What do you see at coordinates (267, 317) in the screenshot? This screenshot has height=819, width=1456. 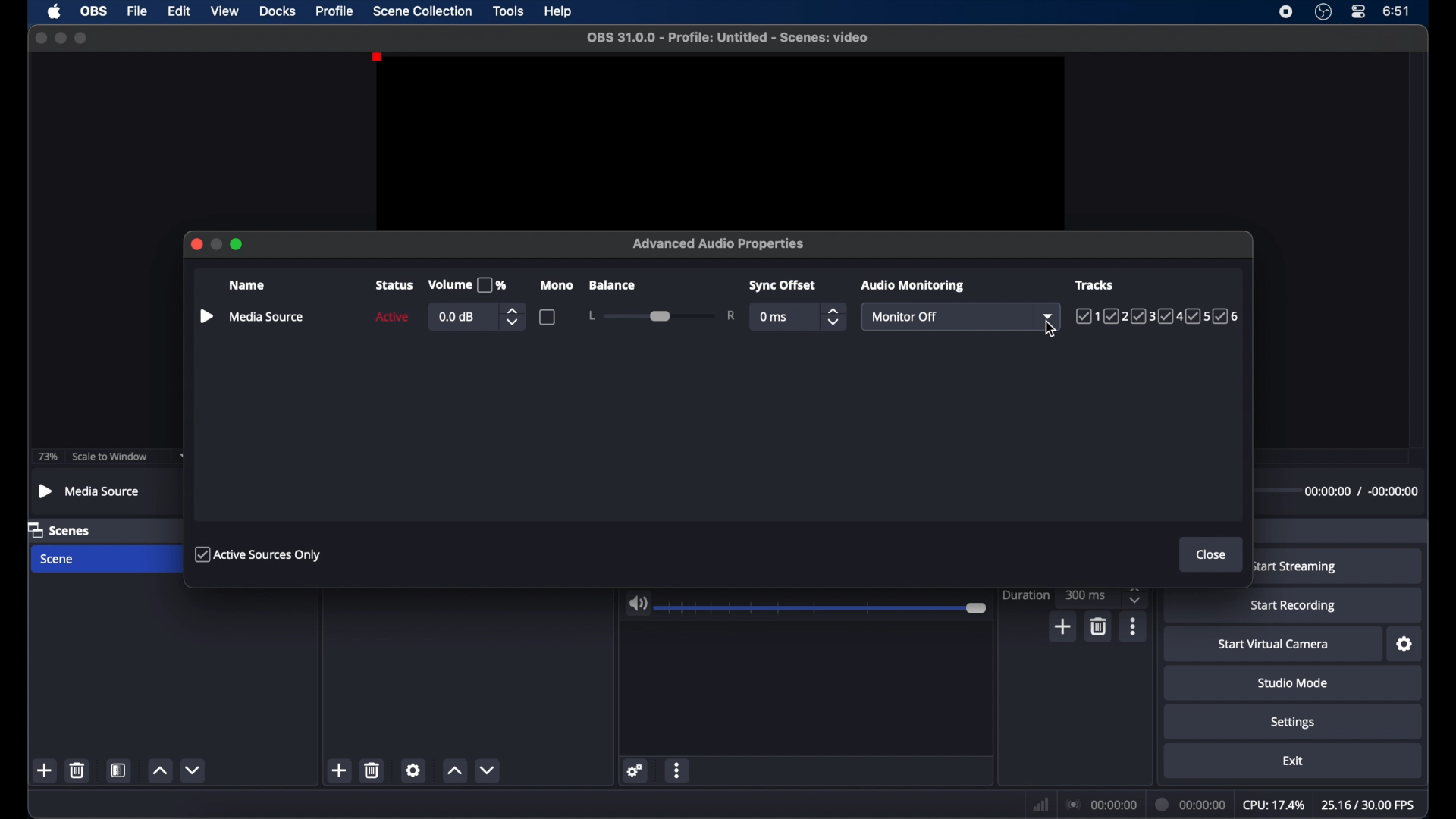 I see `media source` at bounding box center [267, 317].